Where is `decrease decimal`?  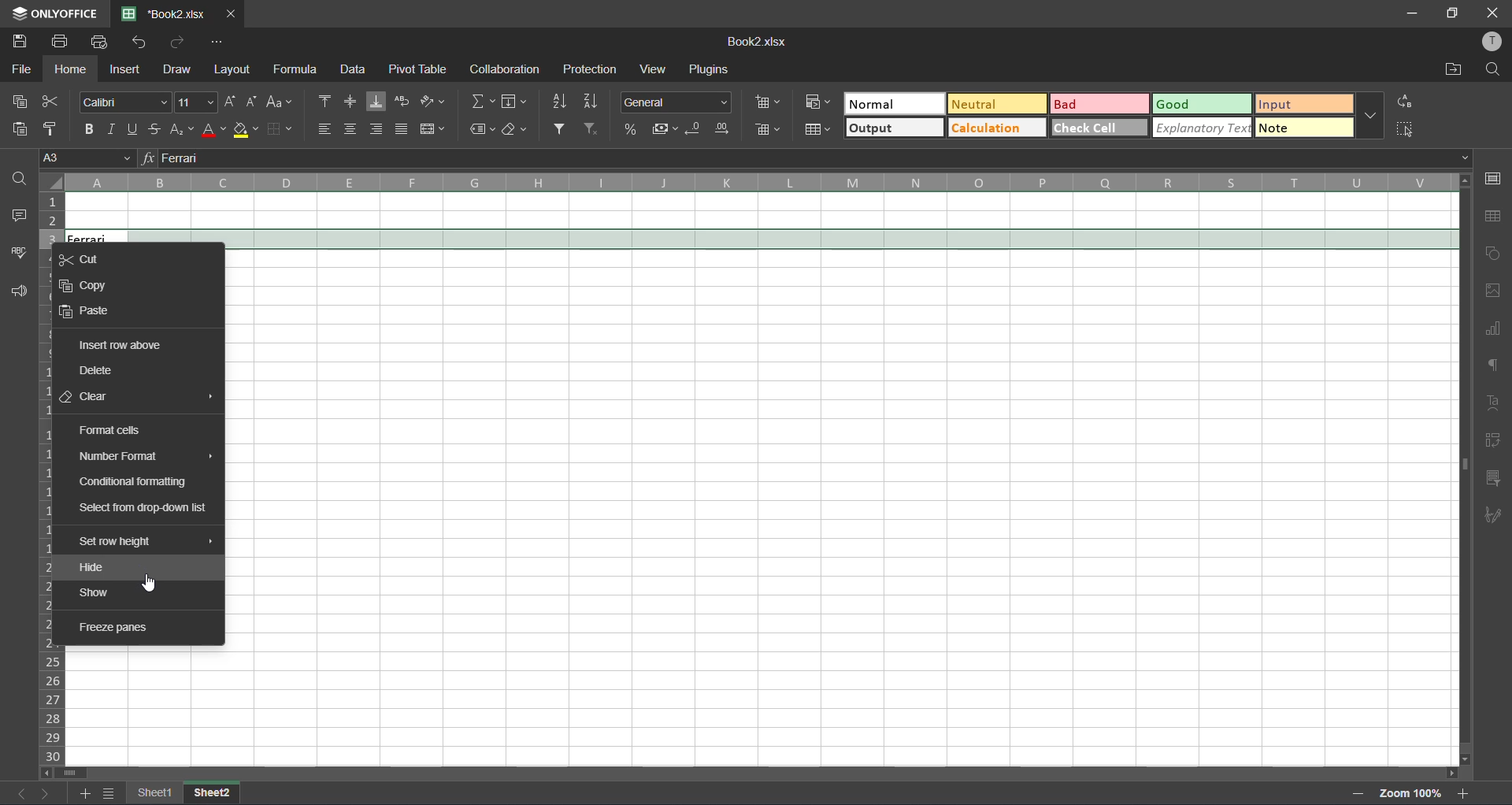
decrease decimal is located at coordinates (695, 127).